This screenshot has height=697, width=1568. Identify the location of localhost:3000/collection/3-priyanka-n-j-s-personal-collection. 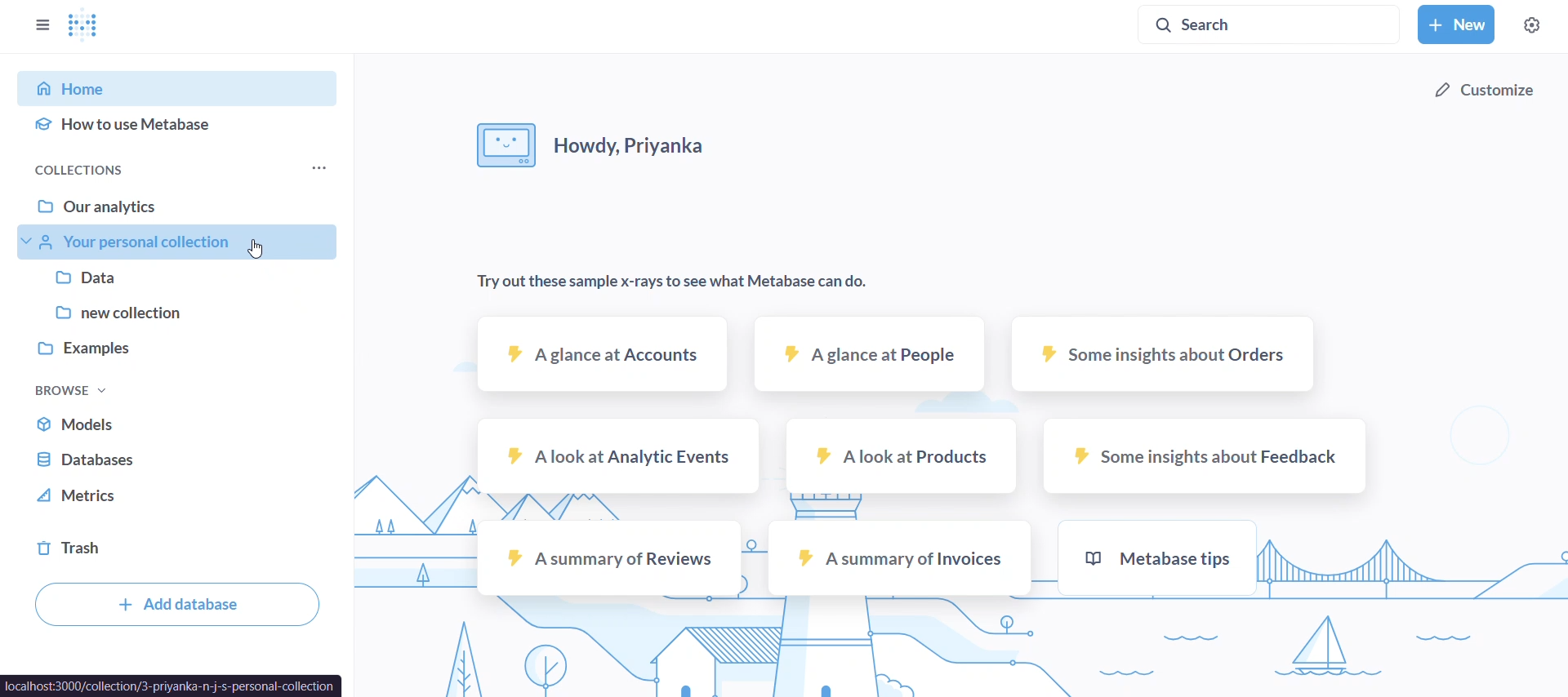
(170, 685).